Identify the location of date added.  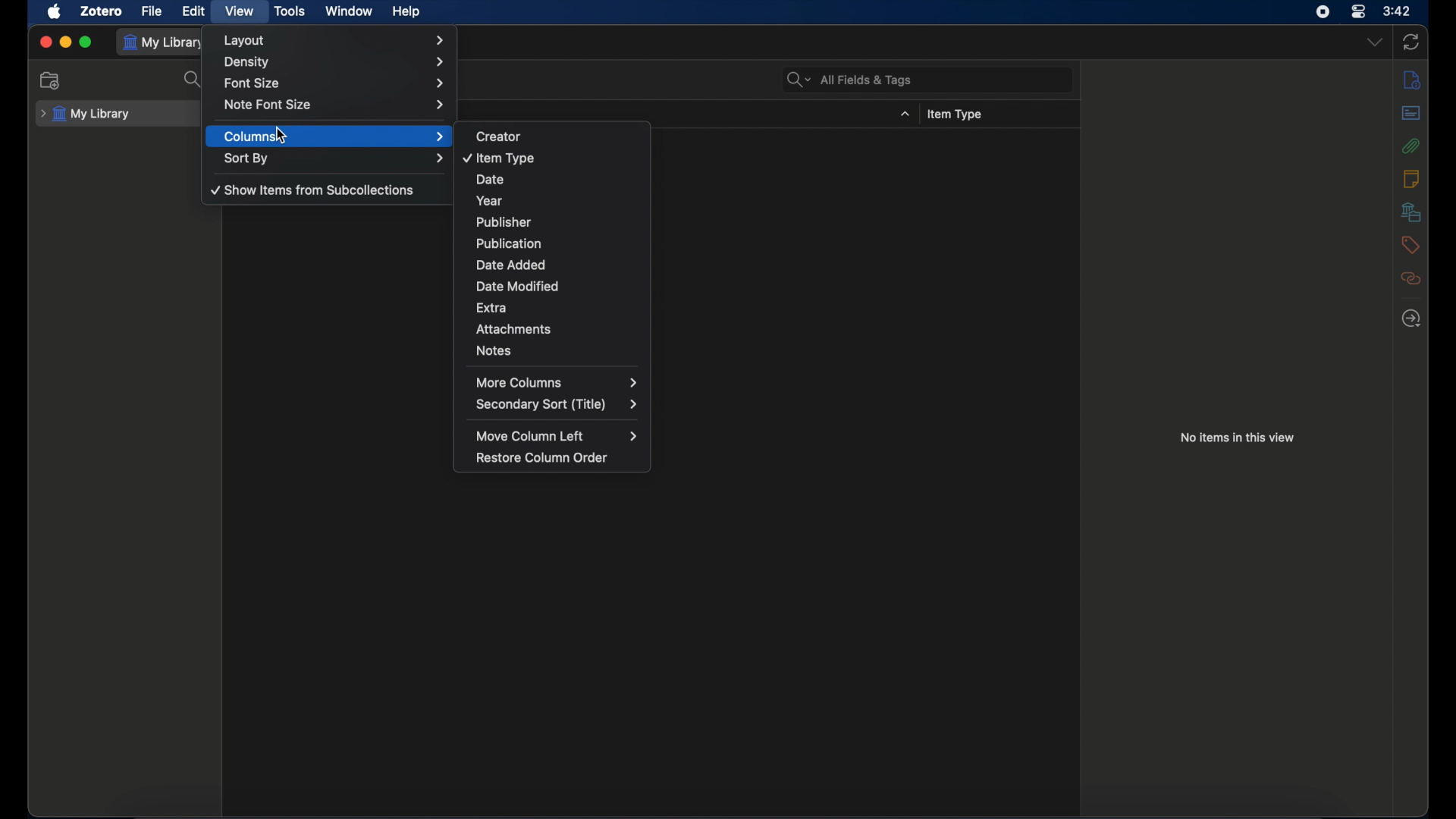
(560, 264).